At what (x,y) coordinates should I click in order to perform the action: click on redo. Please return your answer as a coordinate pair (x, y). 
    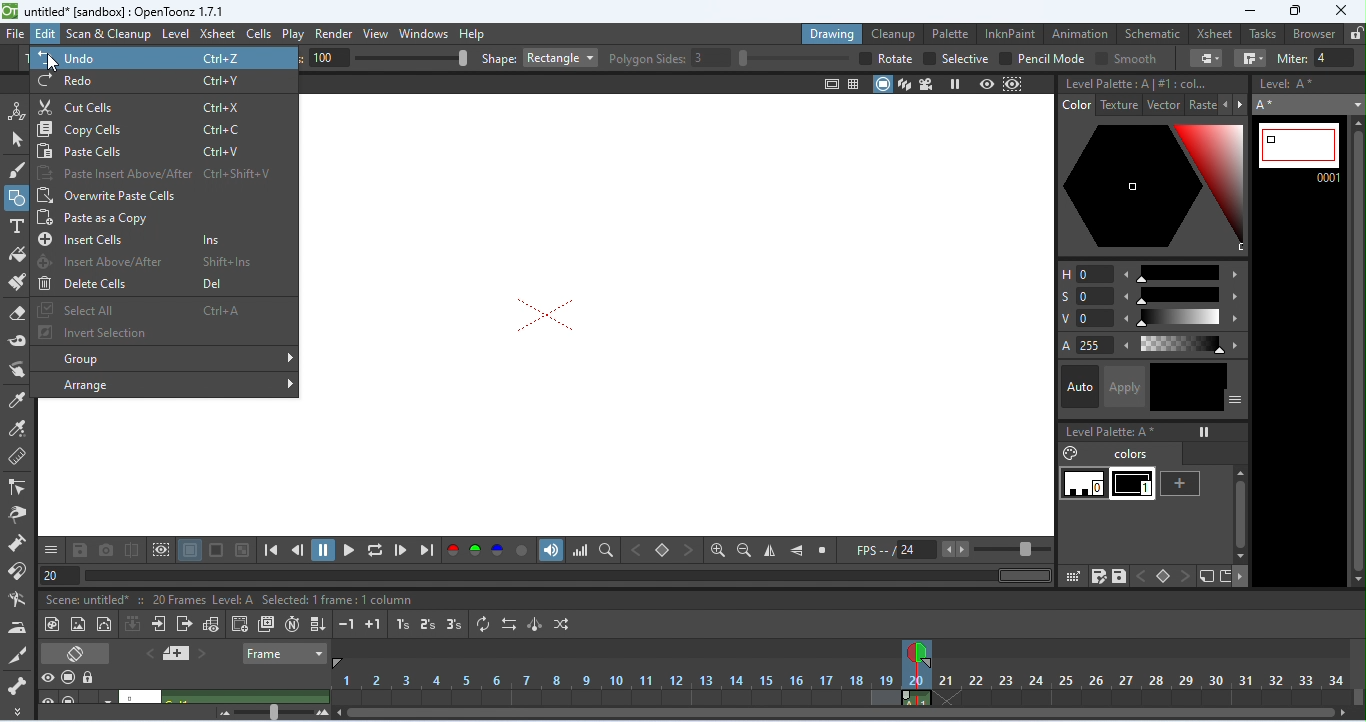
    Looking at the image, I should click on (163, 82).